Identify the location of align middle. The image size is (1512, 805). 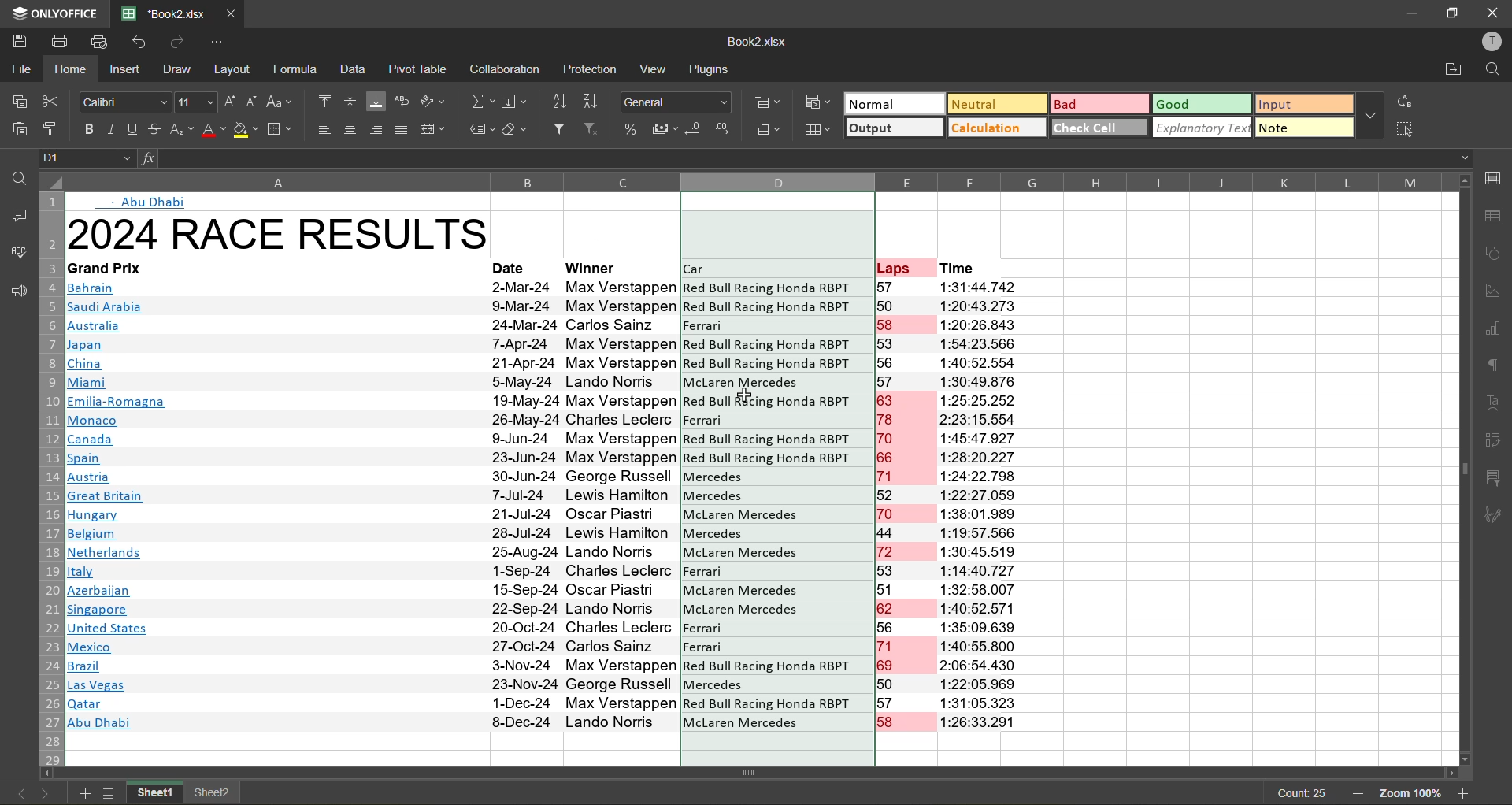
(350, 102).